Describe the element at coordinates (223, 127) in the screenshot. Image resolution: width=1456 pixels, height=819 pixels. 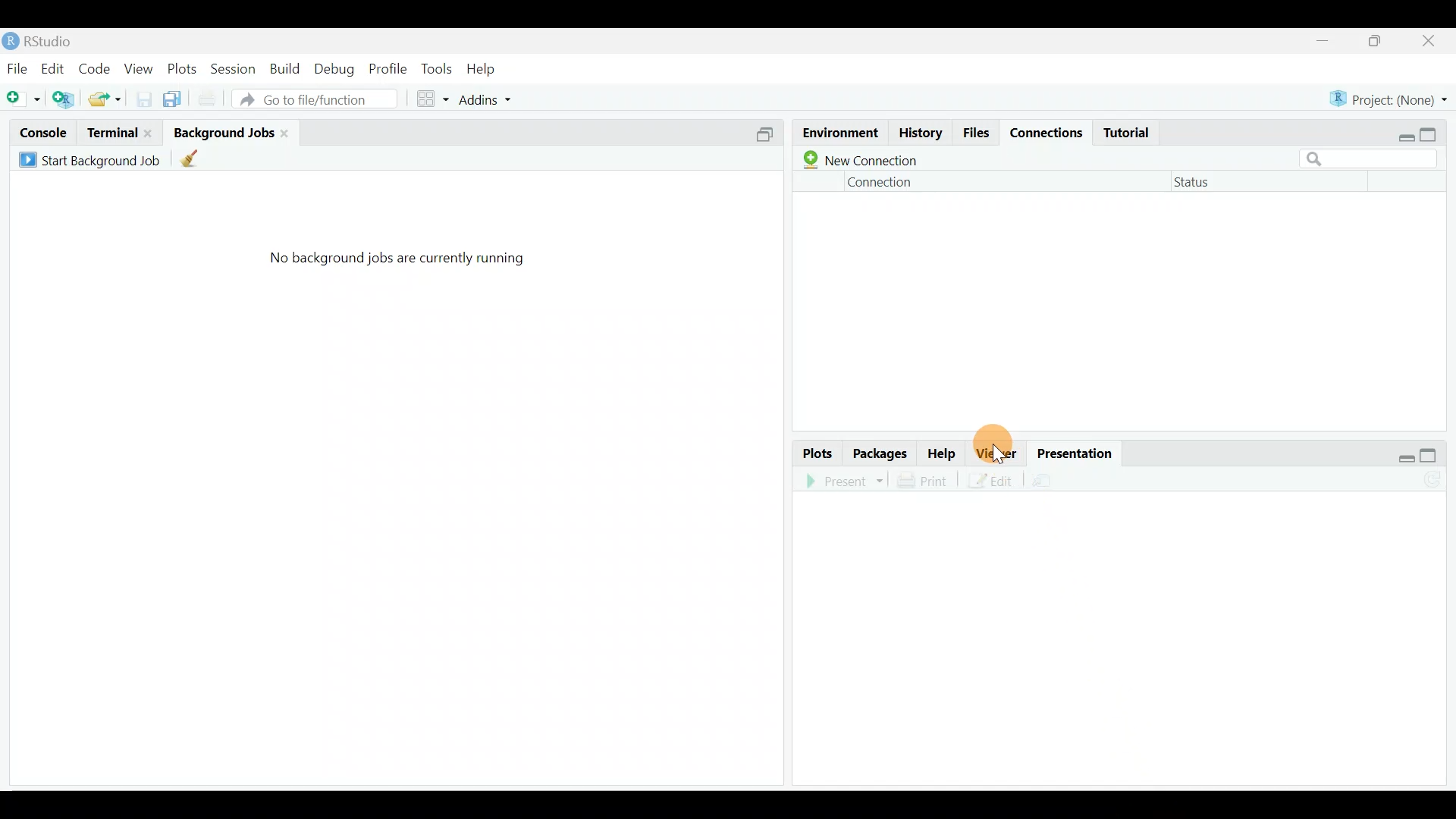
I see `Background jobs` at that location.